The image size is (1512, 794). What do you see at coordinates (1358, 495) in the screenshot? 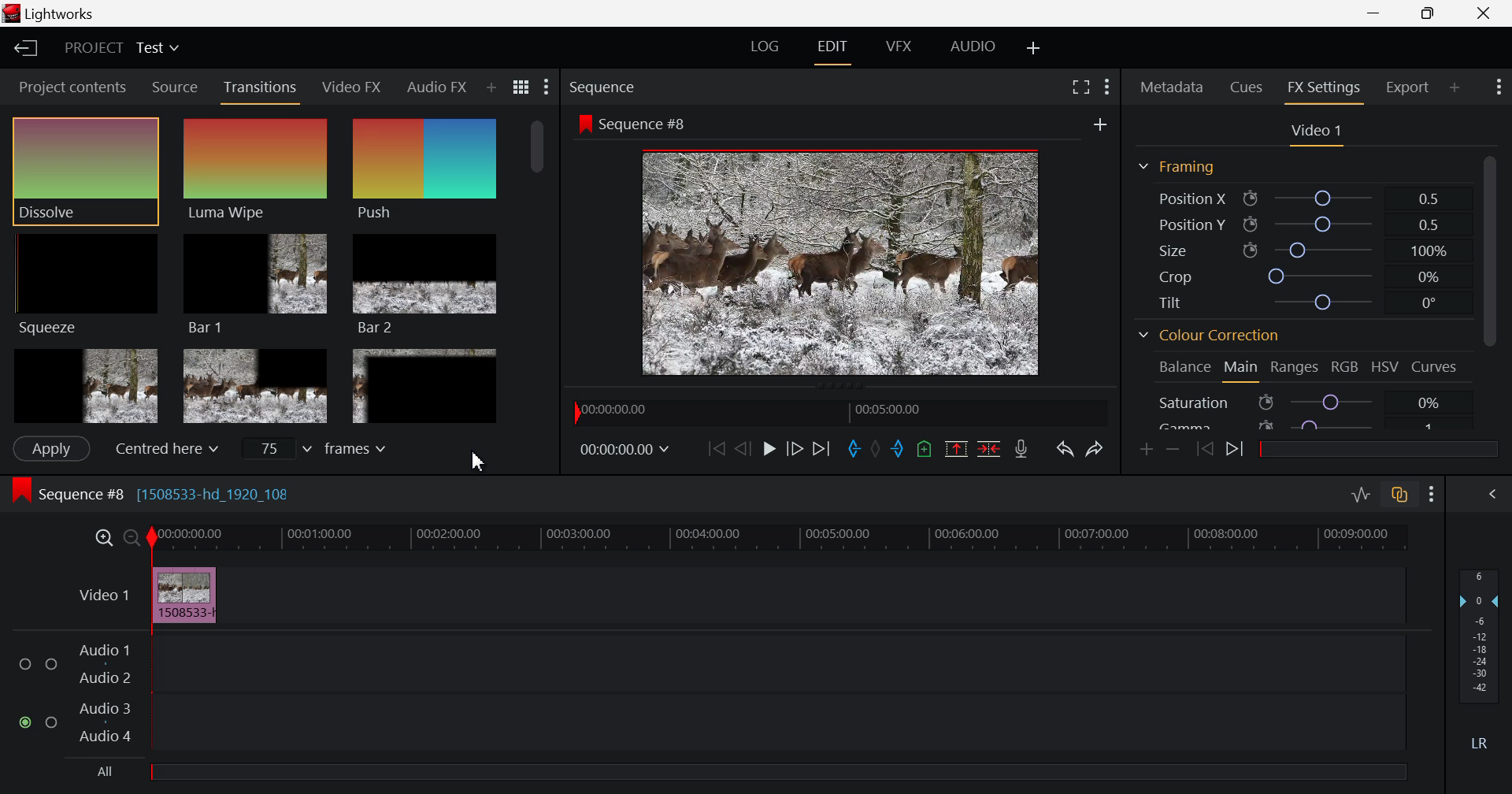
I see `Toggle Audio Levels Editing` at bounding box center [1358, 495].